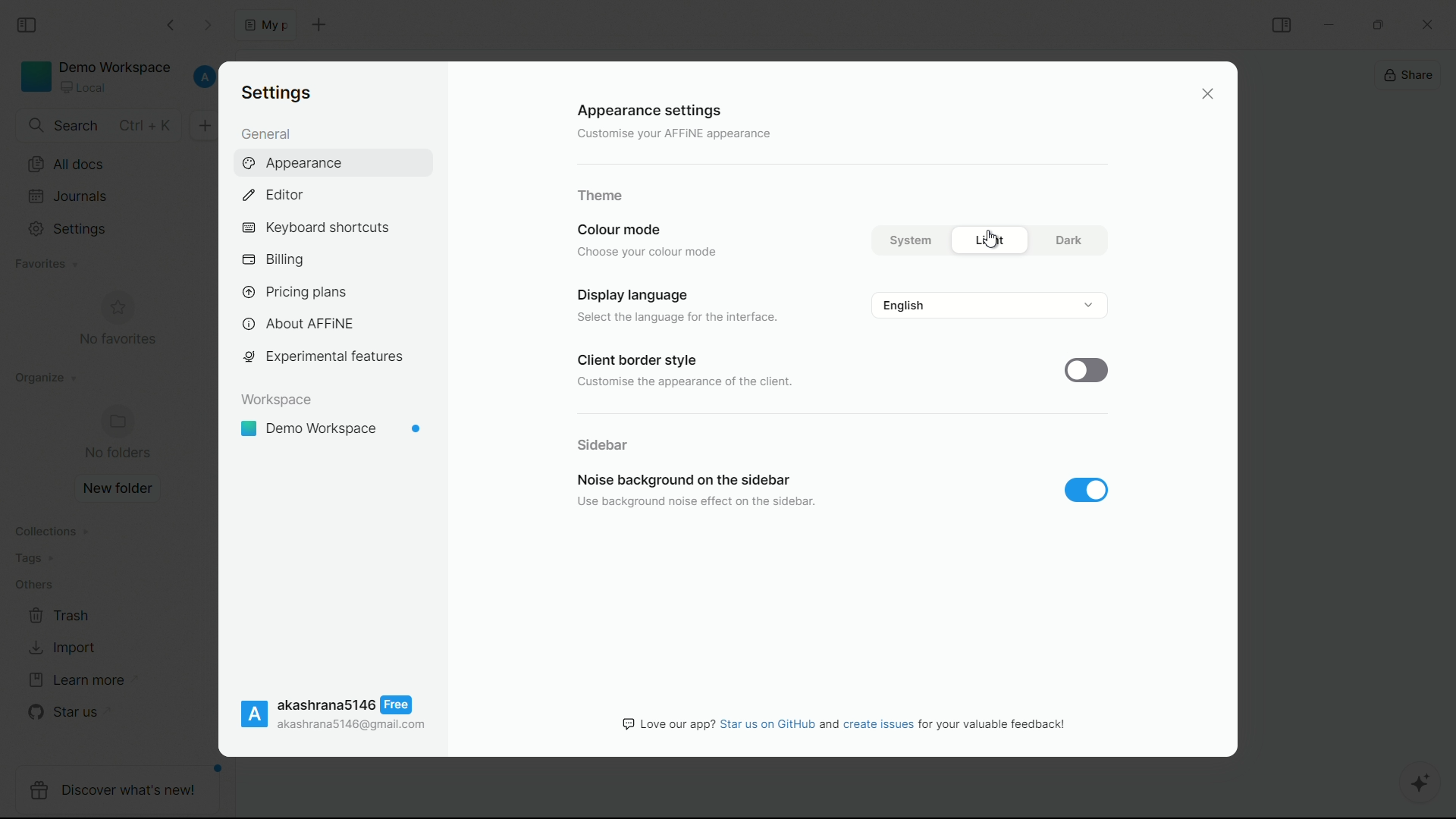 This screenshot has width=1456, height=819. What do you see at coordinates (265, 135) in the screenshot?
I see `general` at bounding box center [265, 135].